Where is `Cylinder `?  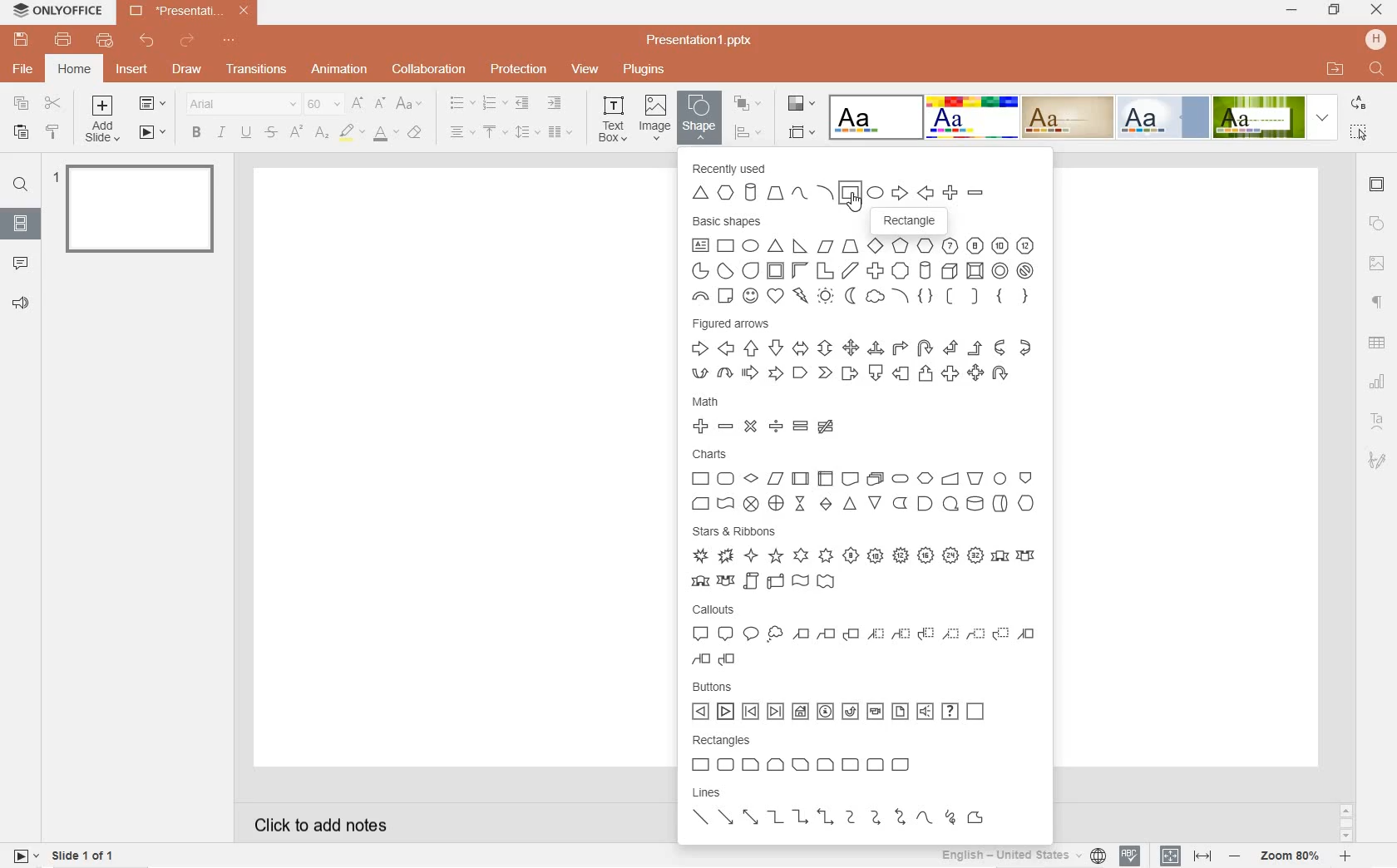 Cylinder  is located at coordinates (751, 192).